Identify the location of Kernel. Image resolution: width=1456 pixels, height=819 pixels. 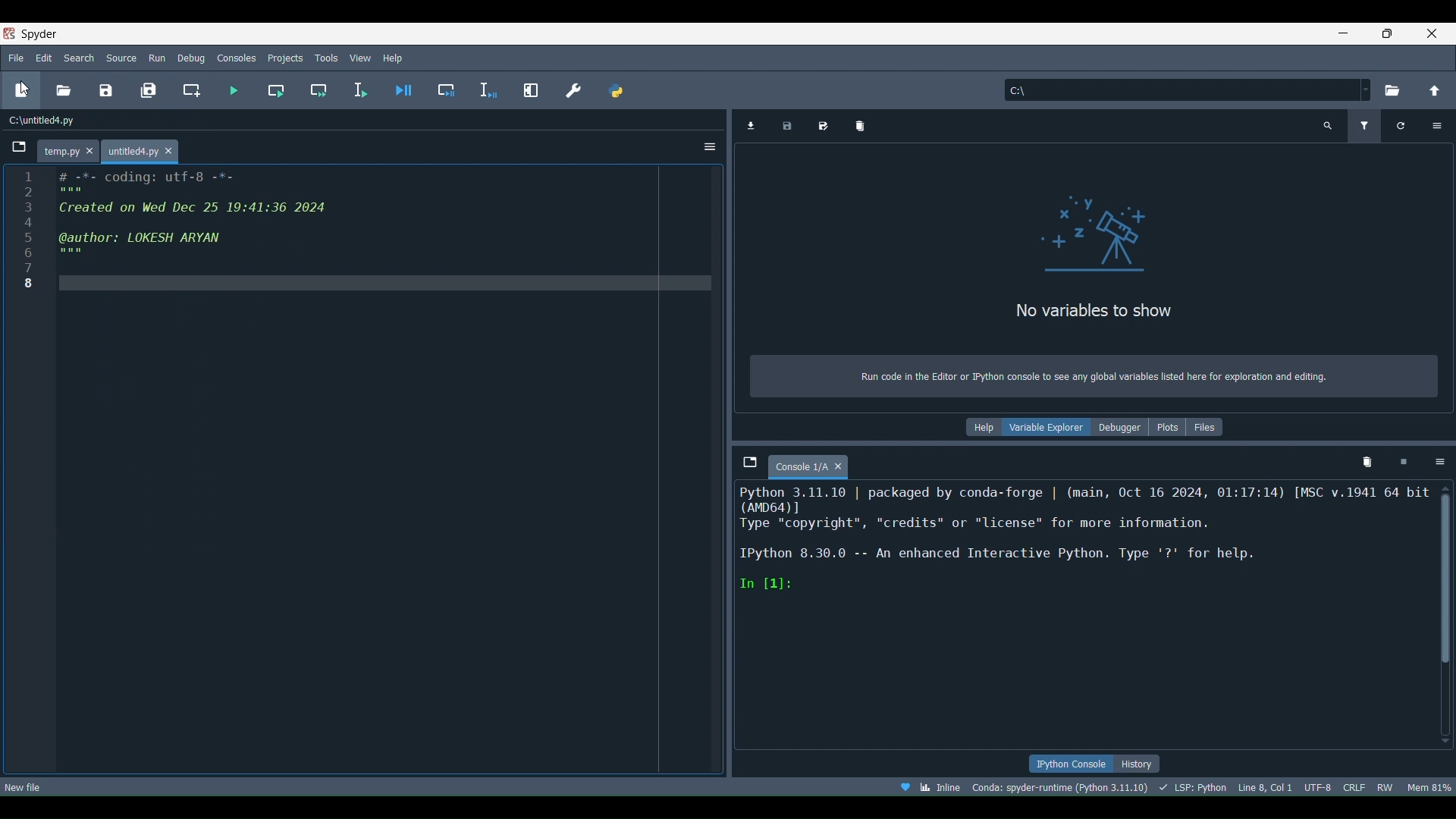
(1087, 544).